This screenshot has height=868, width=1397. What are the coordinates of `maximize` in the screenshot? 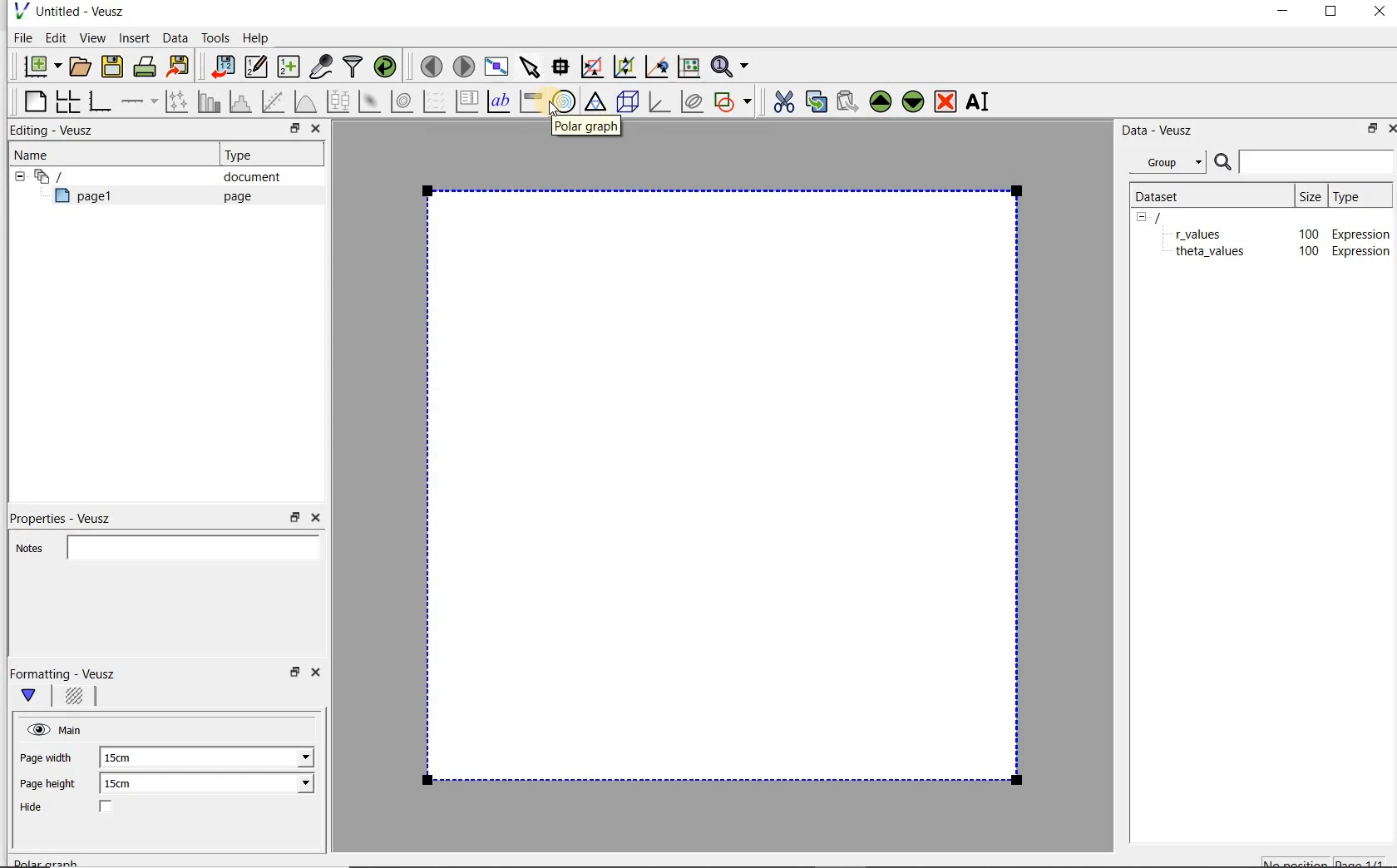 It's located at (1331, 14).